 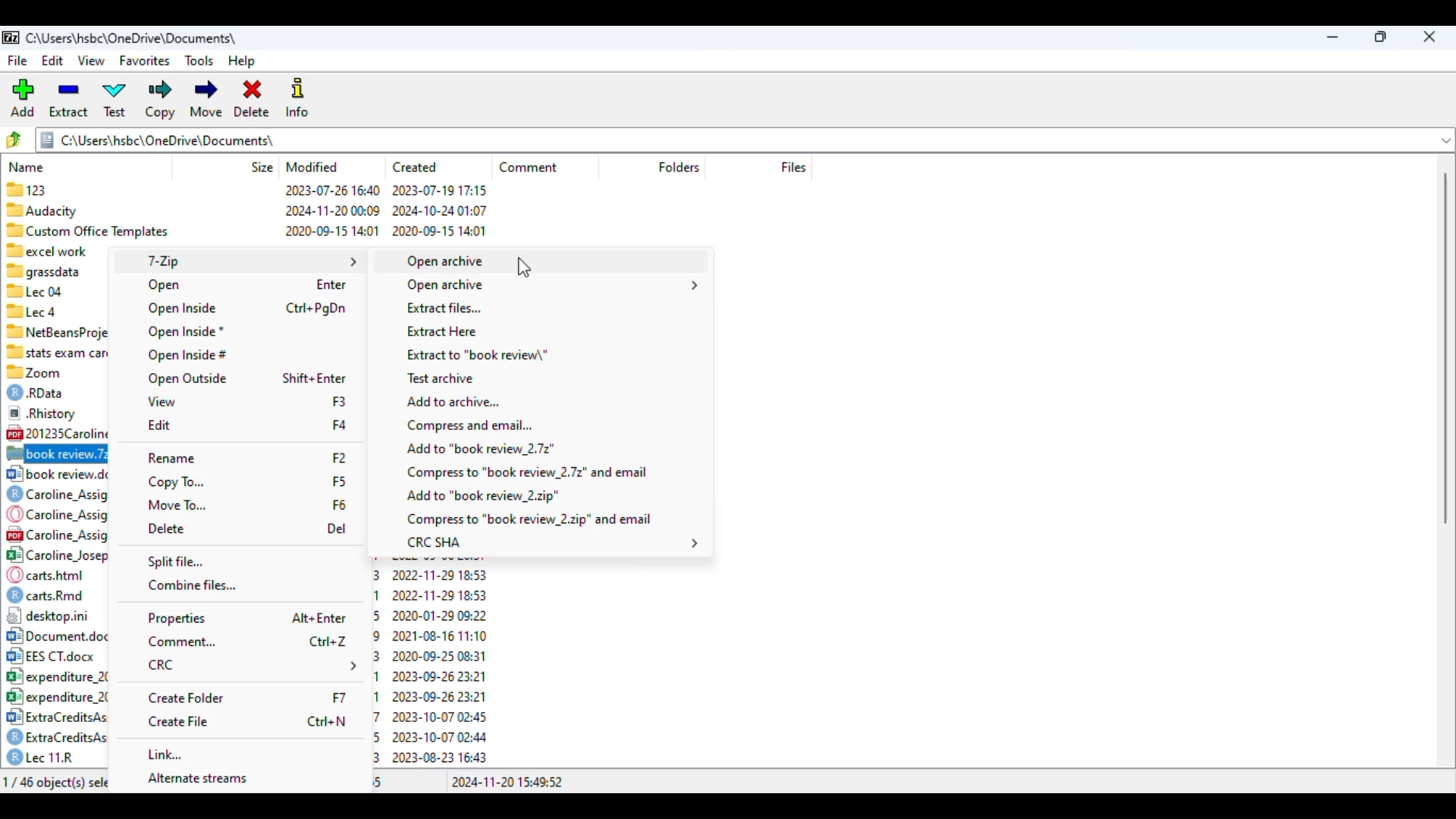 What do you see at coordinates (317, 309) in the screenshot?
I see `shortcut for open inside` at bounding box center [317, 309].